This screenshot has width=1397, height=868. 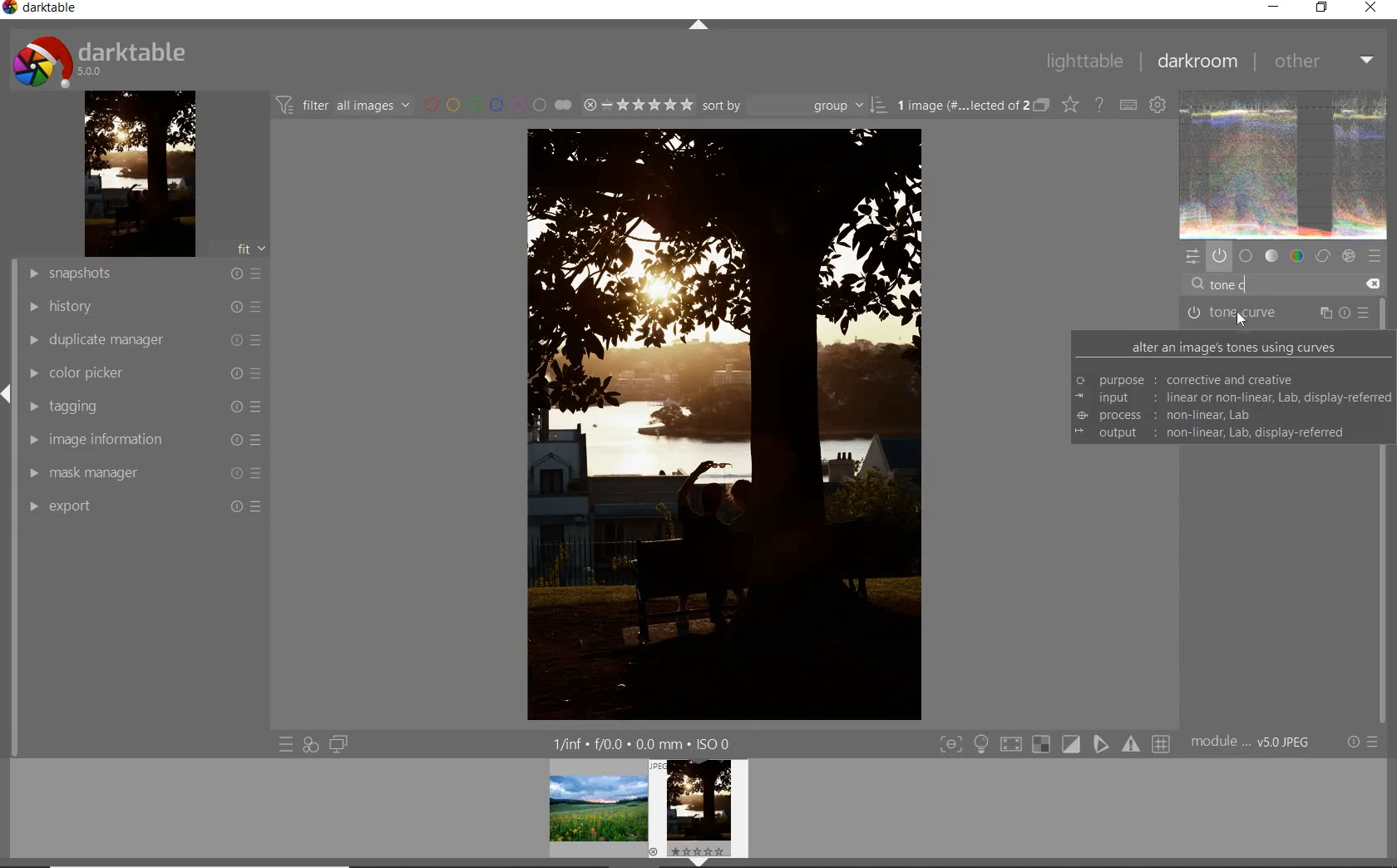 I want to click on quick access to presets, so click(x=286, y=745).